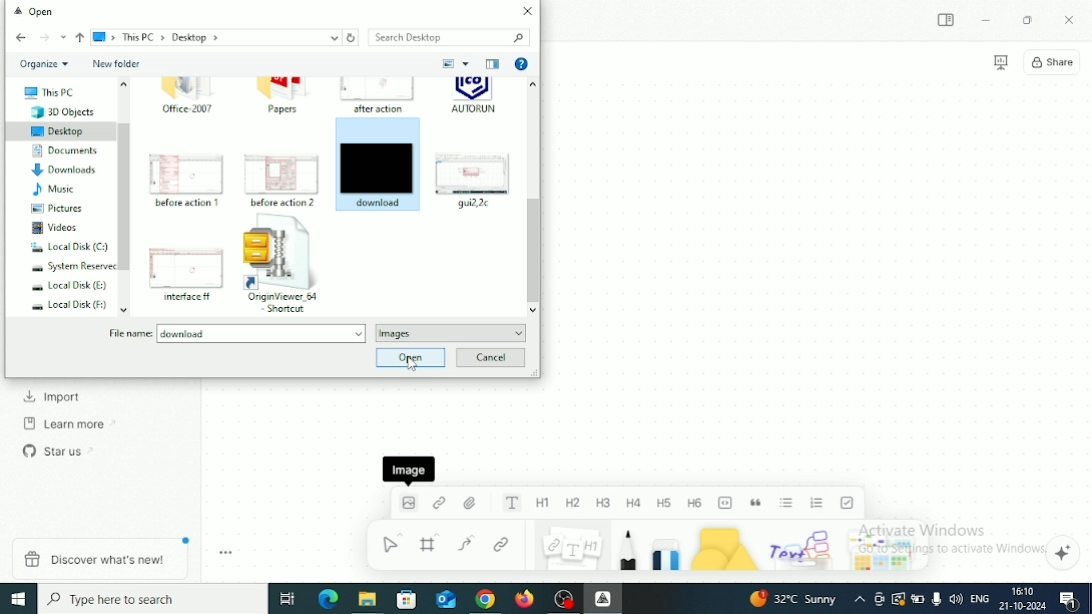 This screenshot has width=1092, height=614. I want to click on File, so click(472, 503).